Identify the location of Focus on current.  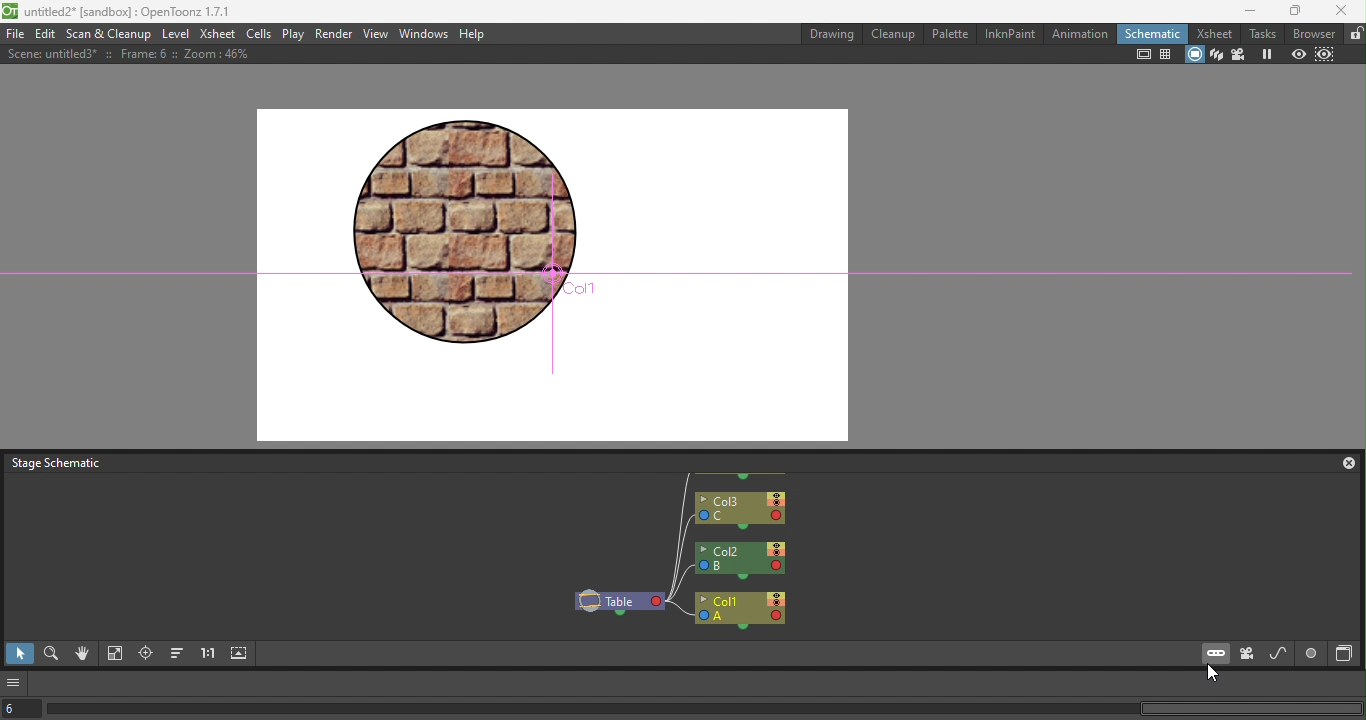
(145, 655).